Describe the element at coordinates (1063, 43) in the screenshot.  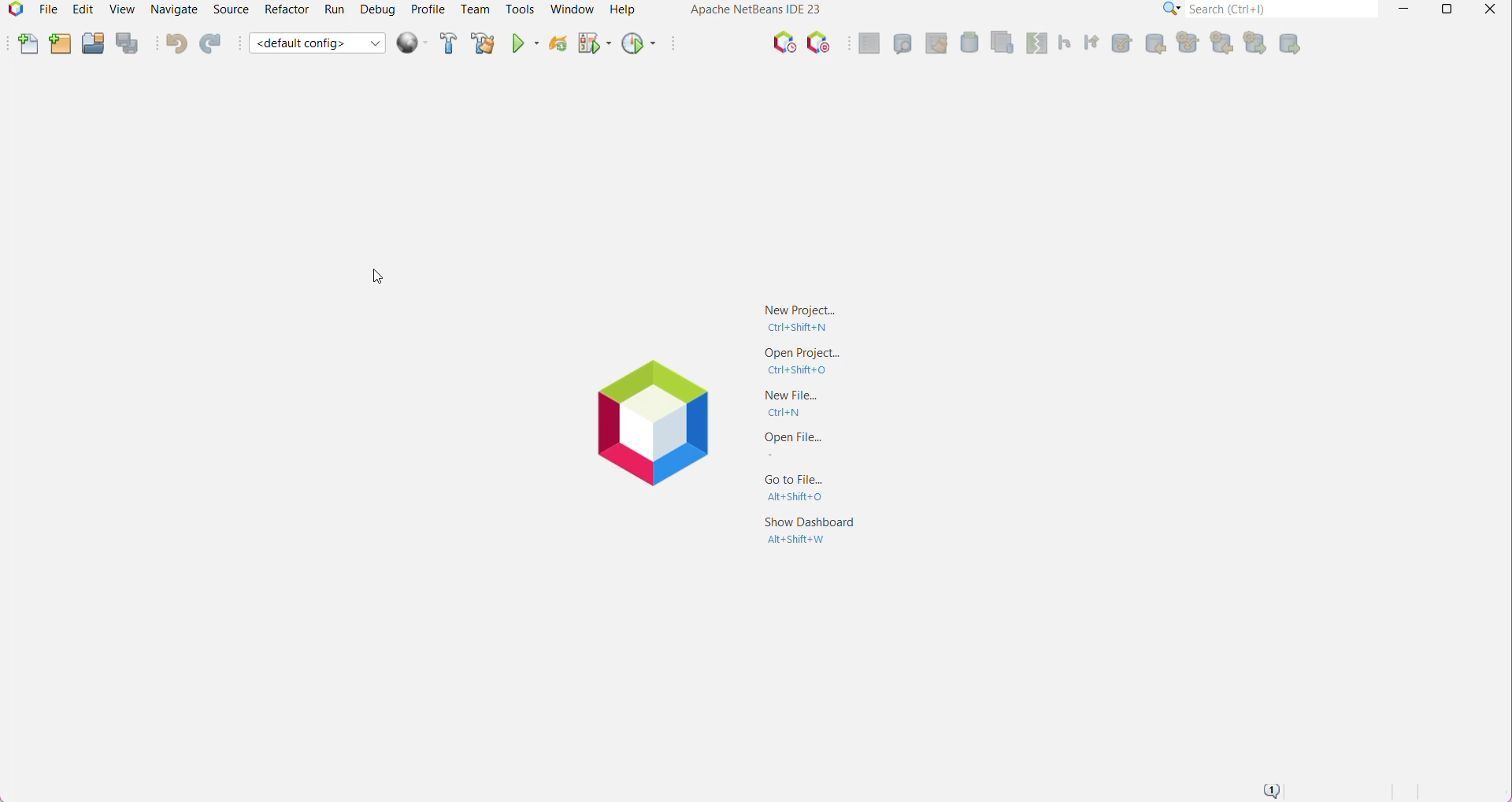
I see `Create Branch` at that location.